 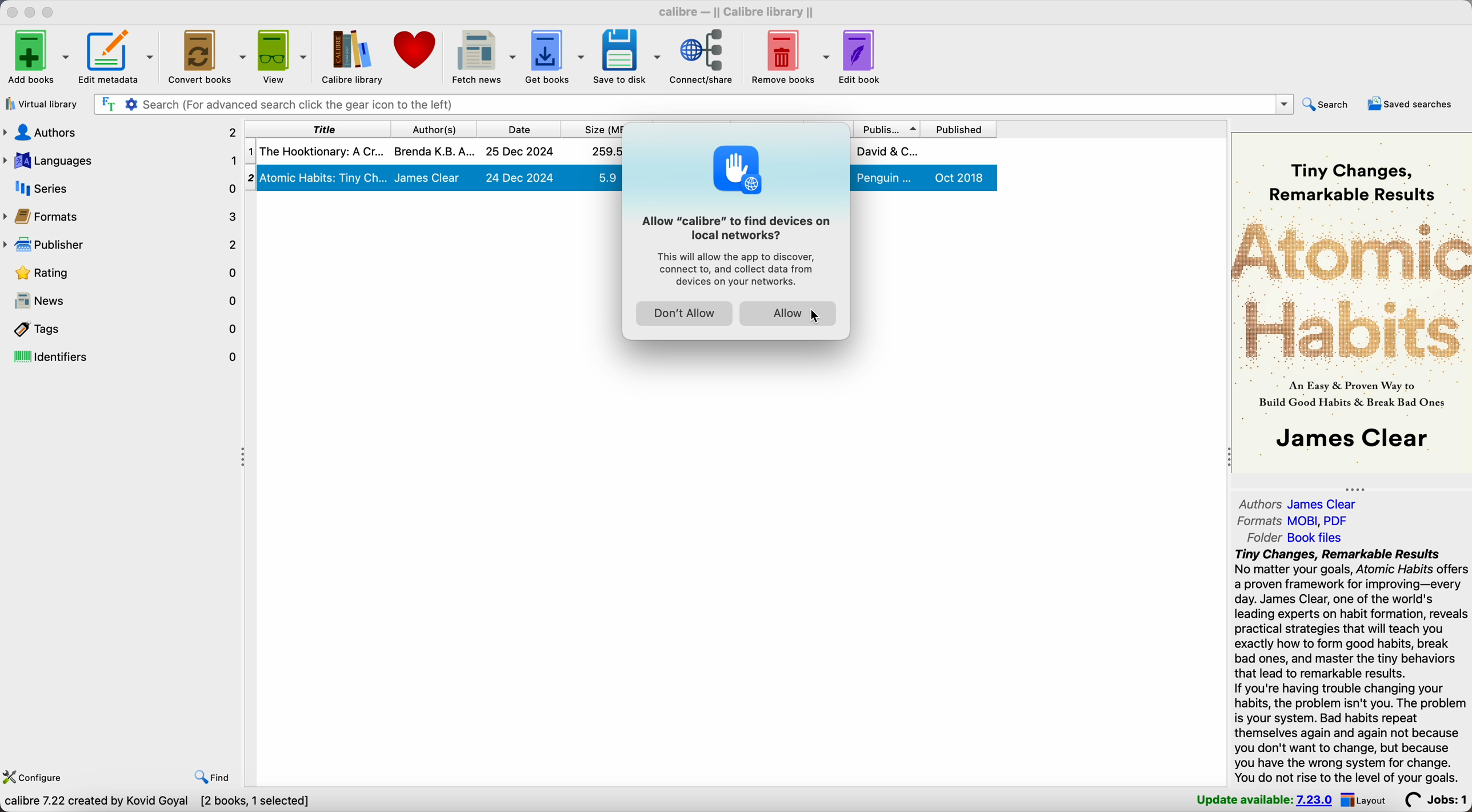 What do you see at coordinates (353, 56) in the screenshot?
I see `Calibre library` at bounding box center [353, 56].